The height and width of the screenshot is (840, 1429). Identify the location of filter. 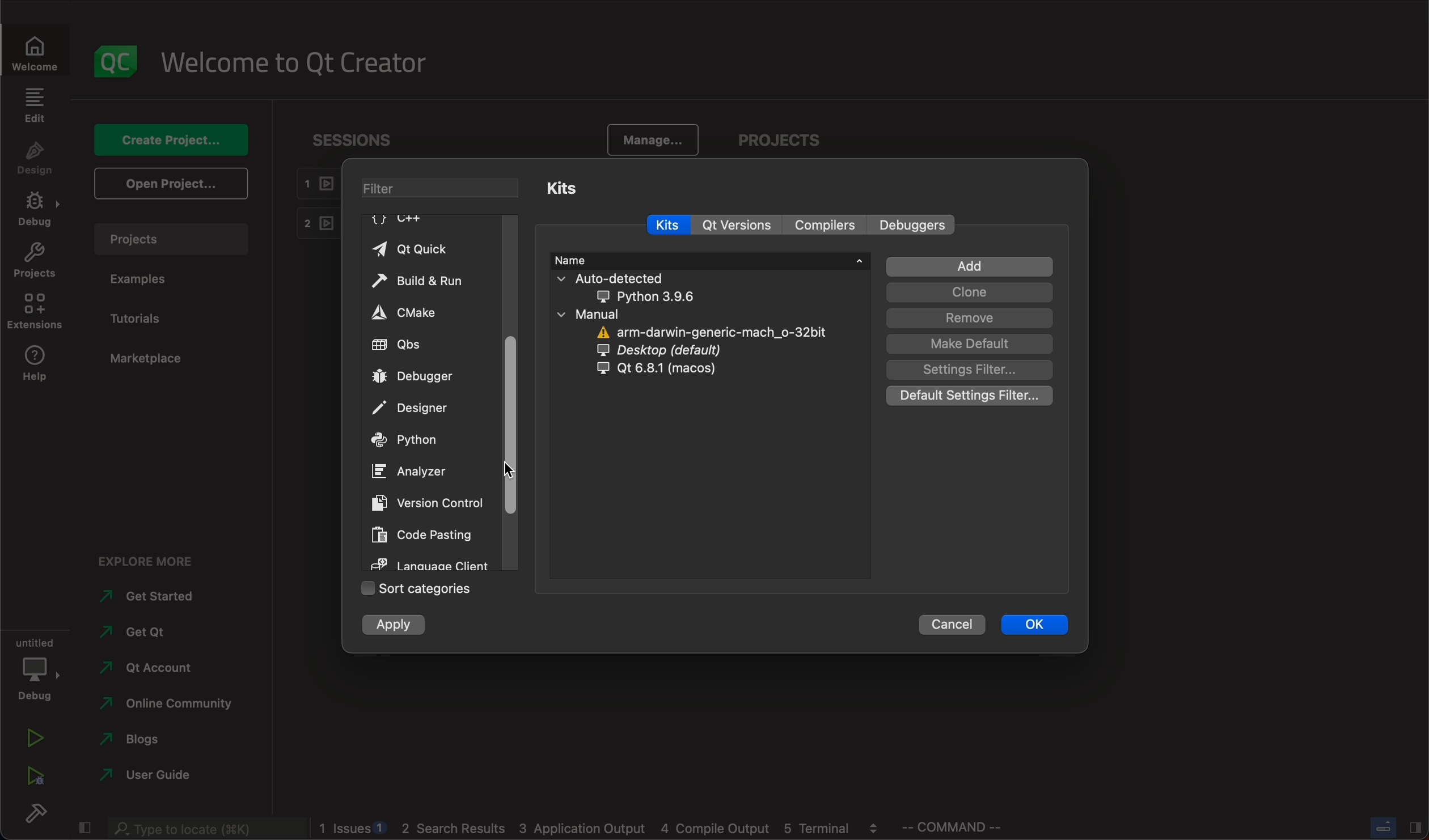
(443, 188).